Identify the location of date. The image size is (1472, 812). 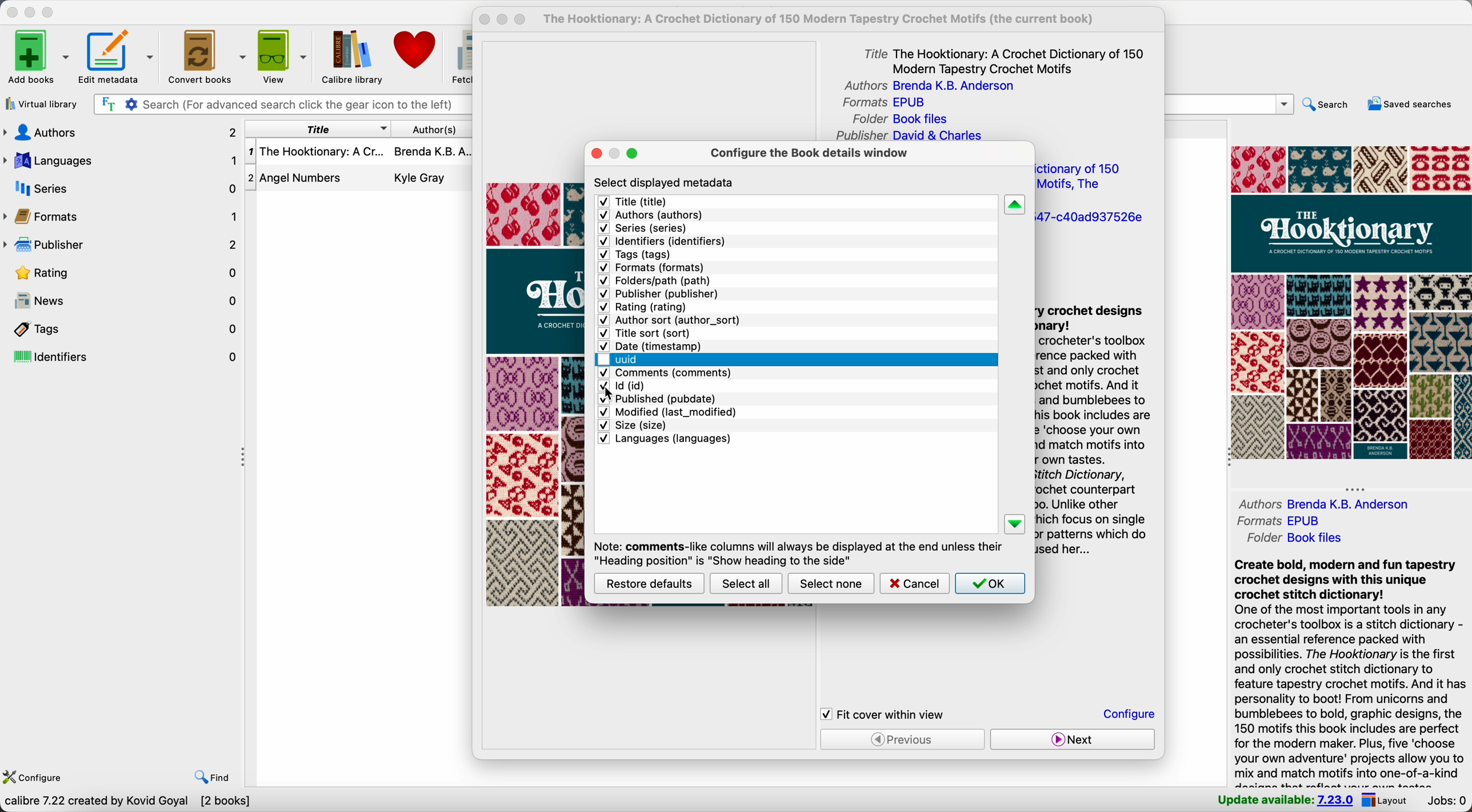
(654, 347).